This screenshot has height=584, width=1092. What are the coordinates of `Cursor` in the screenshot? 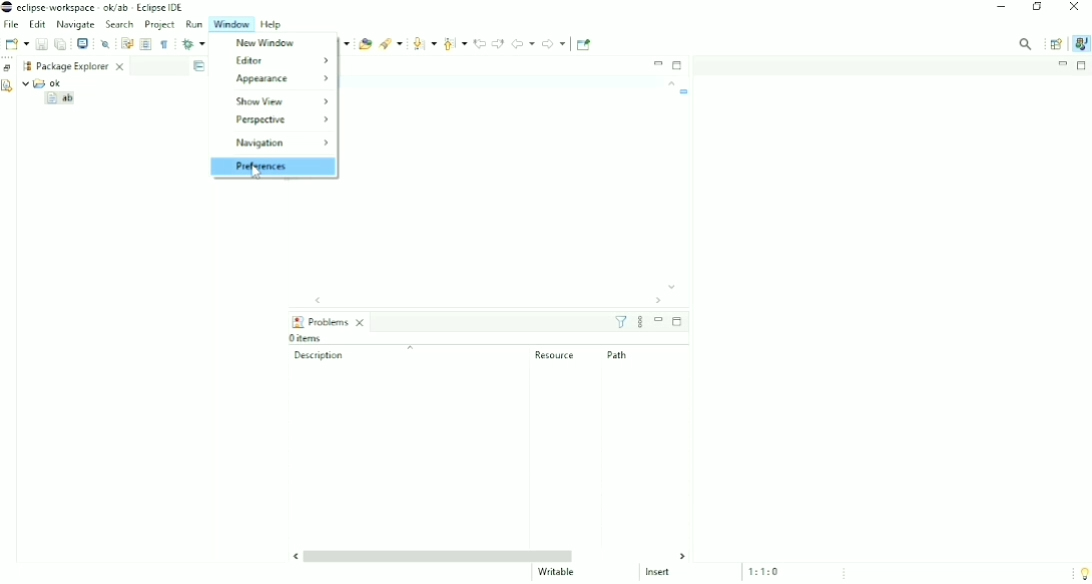 It's located at (256, 171).